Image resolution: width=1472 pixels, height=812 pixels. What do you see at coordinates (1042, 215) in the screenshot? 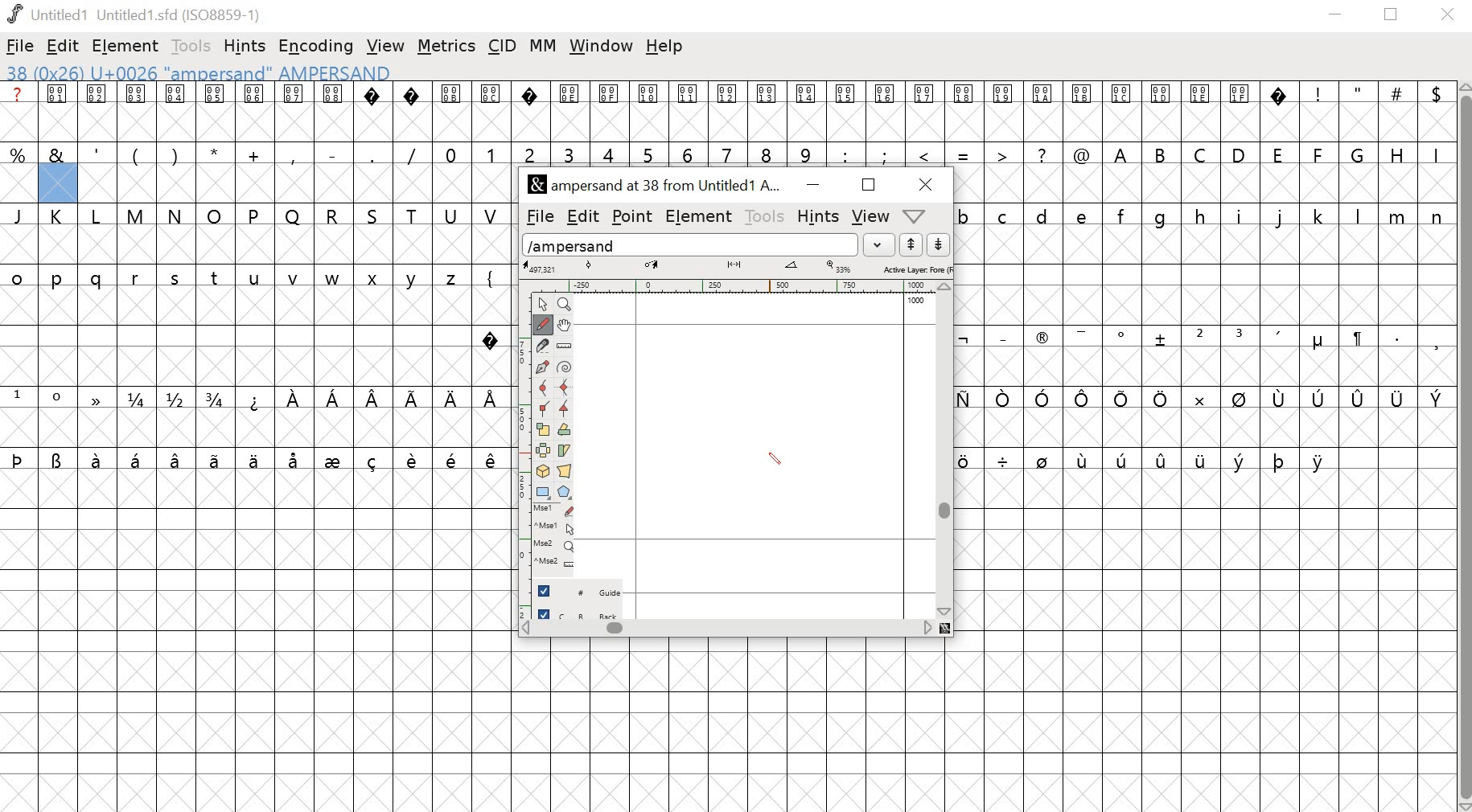
I see `d` at bounding box center [1042, 215].